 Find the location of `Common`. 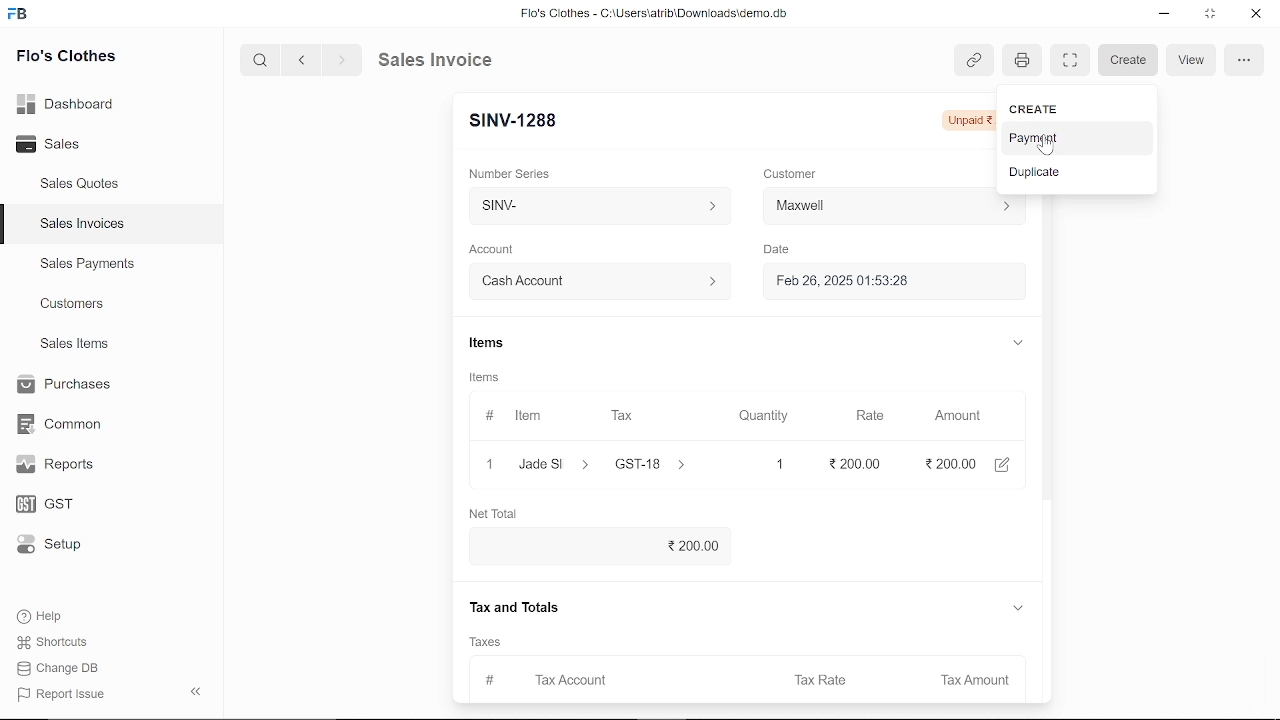

Common is located at coordinates (62, 424).